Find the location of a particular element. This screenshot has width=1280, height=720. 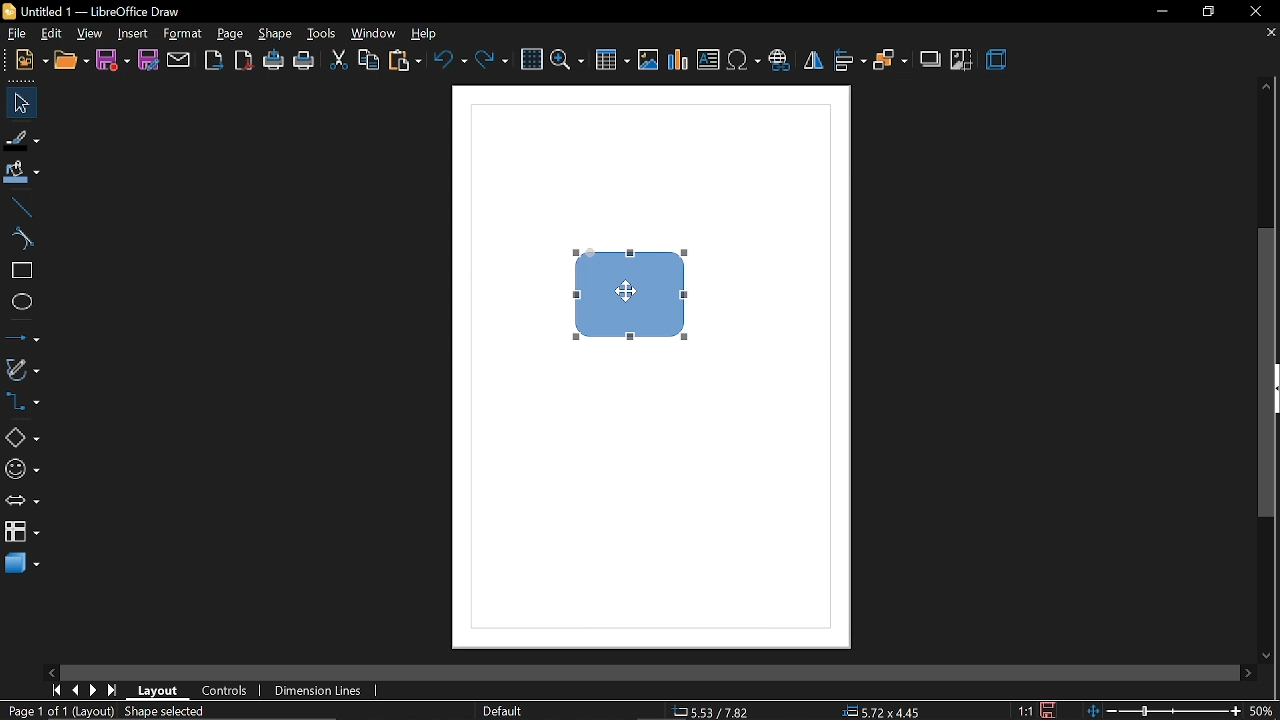

edit is located at coordinates (52, 34).